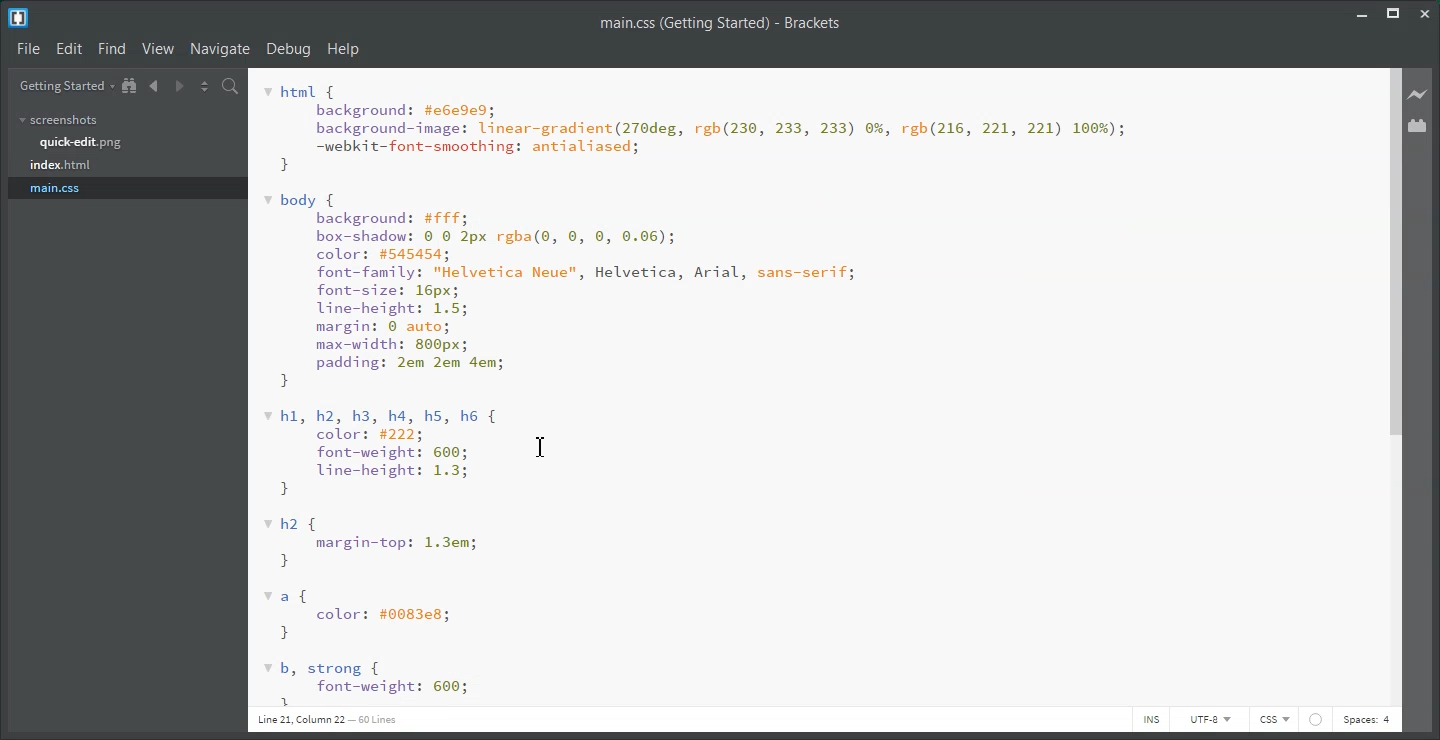 This screenshot has width=1440, height=740. Describe the element at coordinates (65, 86) in the screenshot. I see `Getting Started` at that location.